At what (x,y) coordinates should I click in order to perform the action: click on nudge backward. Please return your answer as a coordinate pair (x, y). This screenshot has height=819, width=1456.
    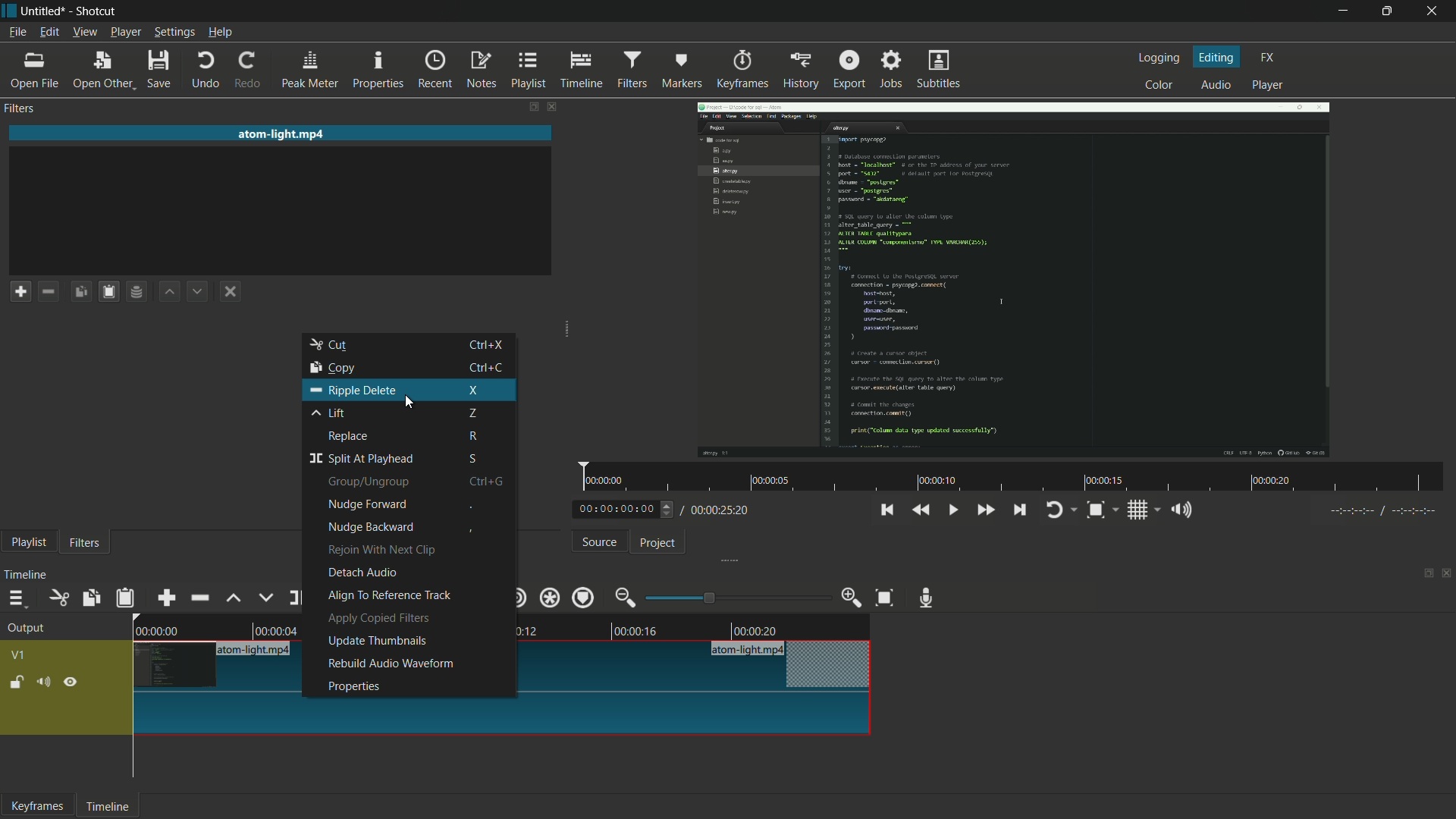
    Looking at the image, I should click on (372, 526).